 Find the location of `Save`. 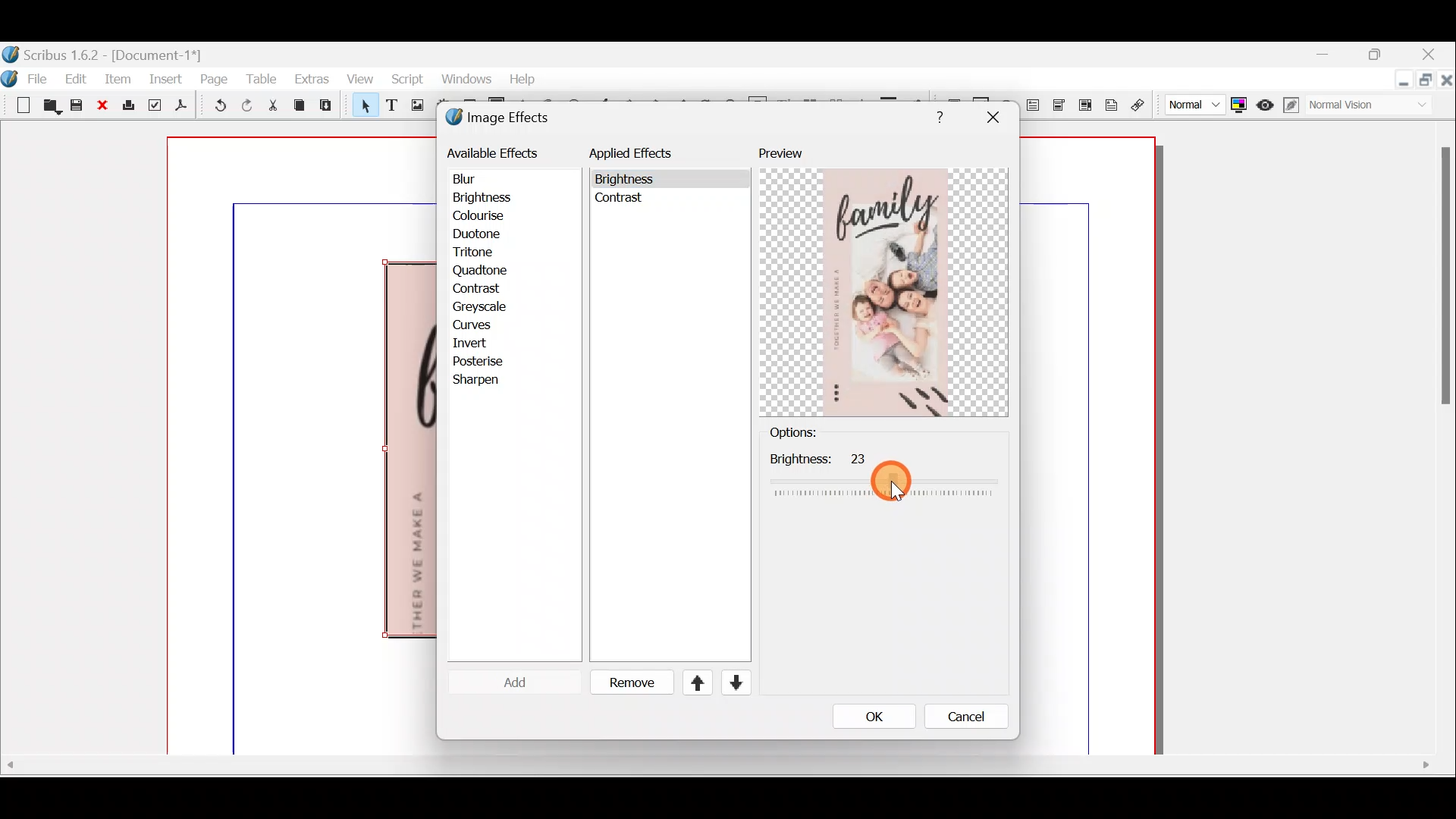

Save is located at coordinates (77, 107).